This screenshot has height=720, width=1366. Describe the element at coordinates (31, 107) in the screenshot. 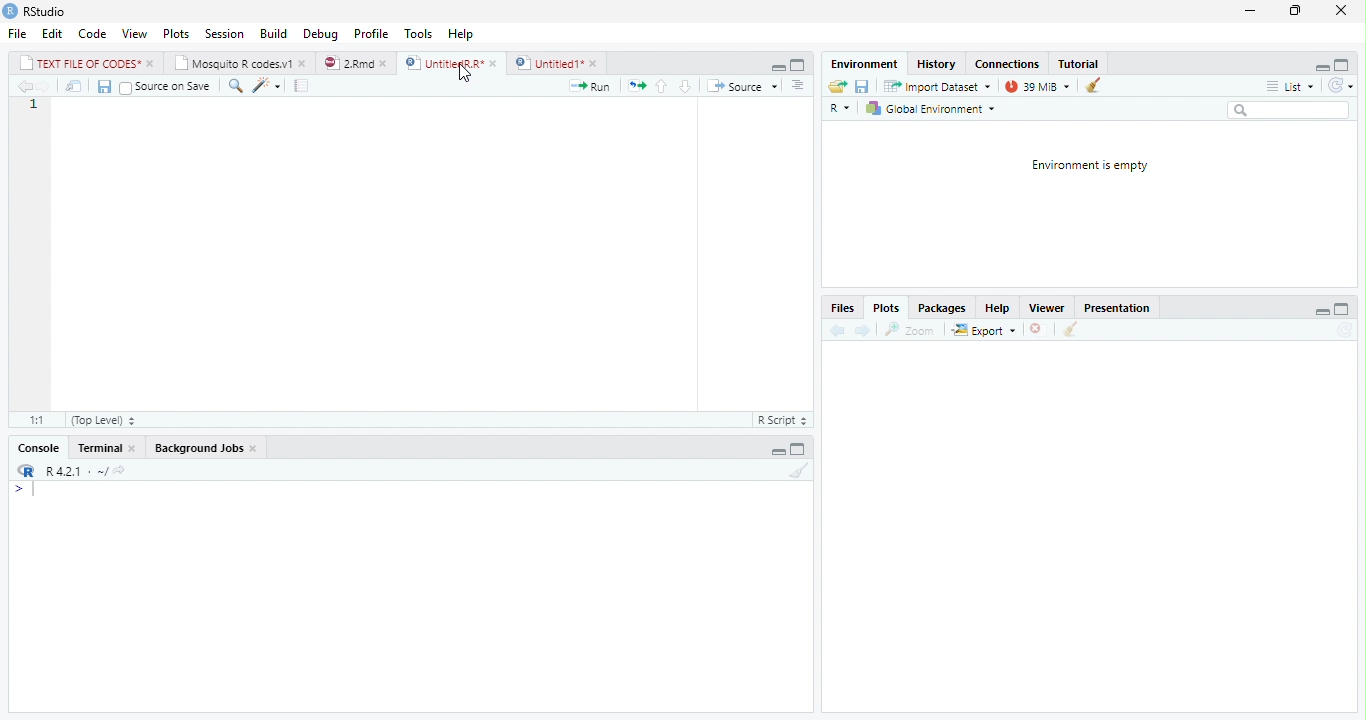

I see `Row Number` at that location.